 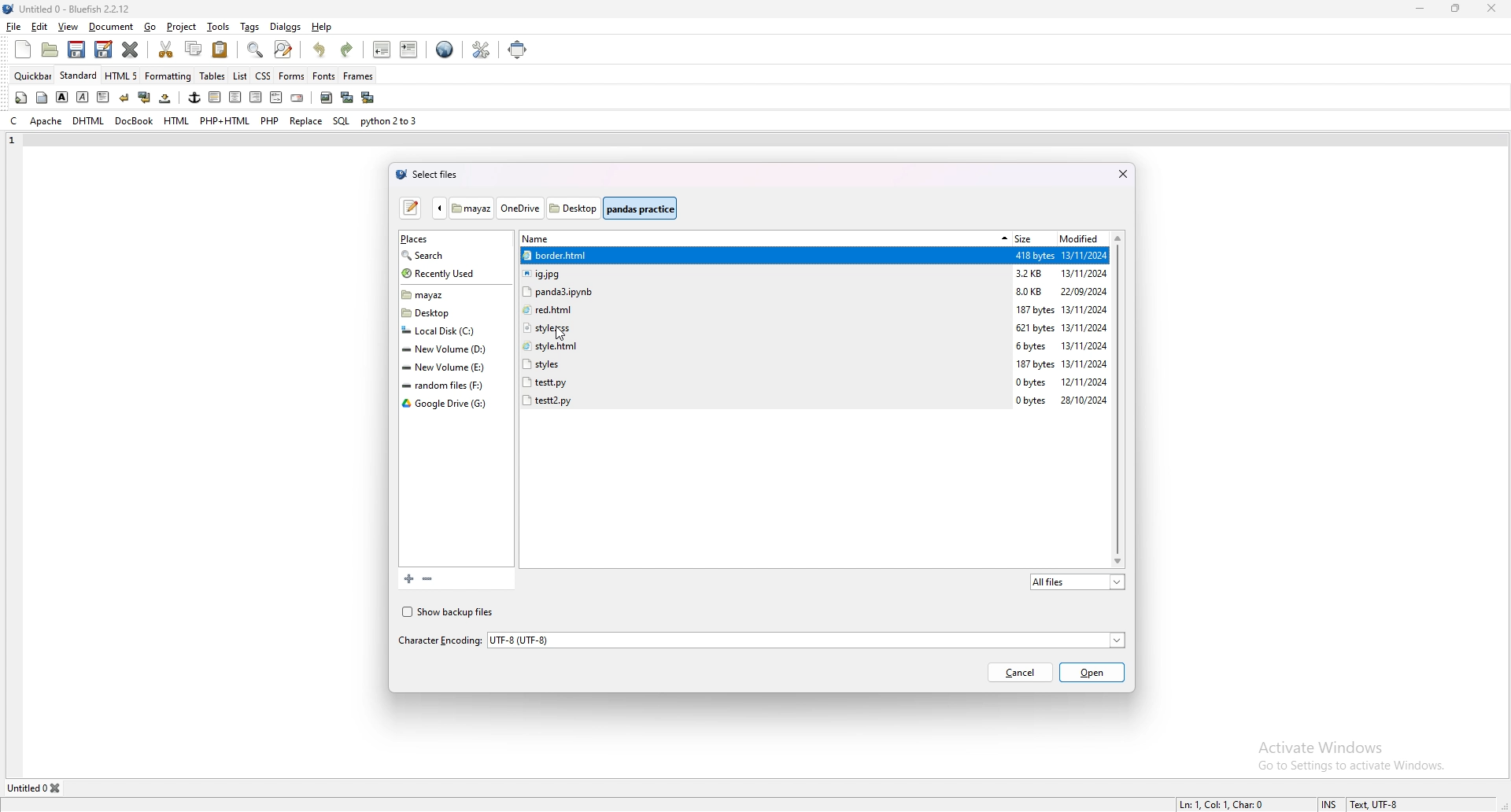 I want to click on frames, so click(x=359, y=76).